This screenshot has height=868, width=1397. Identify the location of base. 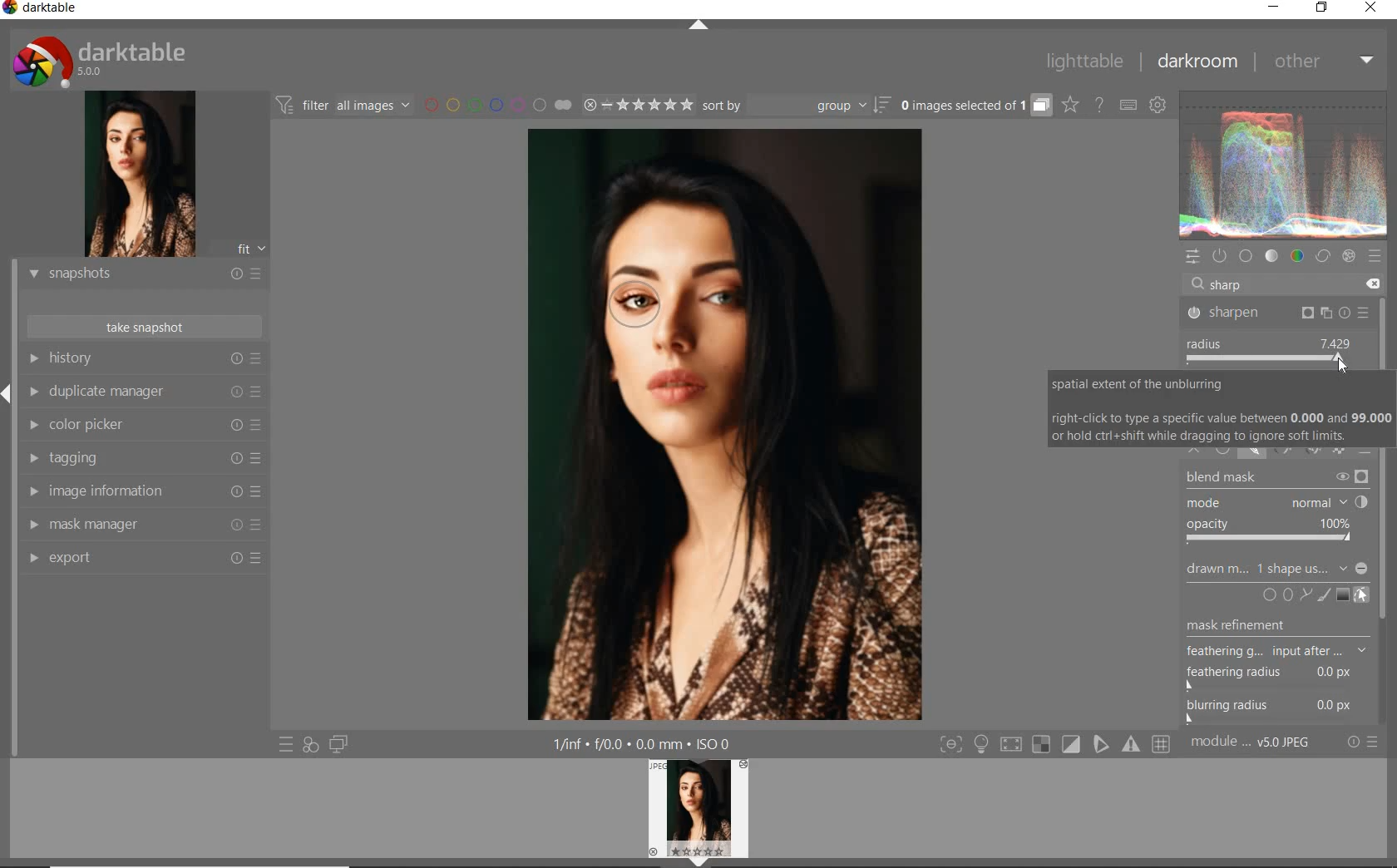
(1246, 254).